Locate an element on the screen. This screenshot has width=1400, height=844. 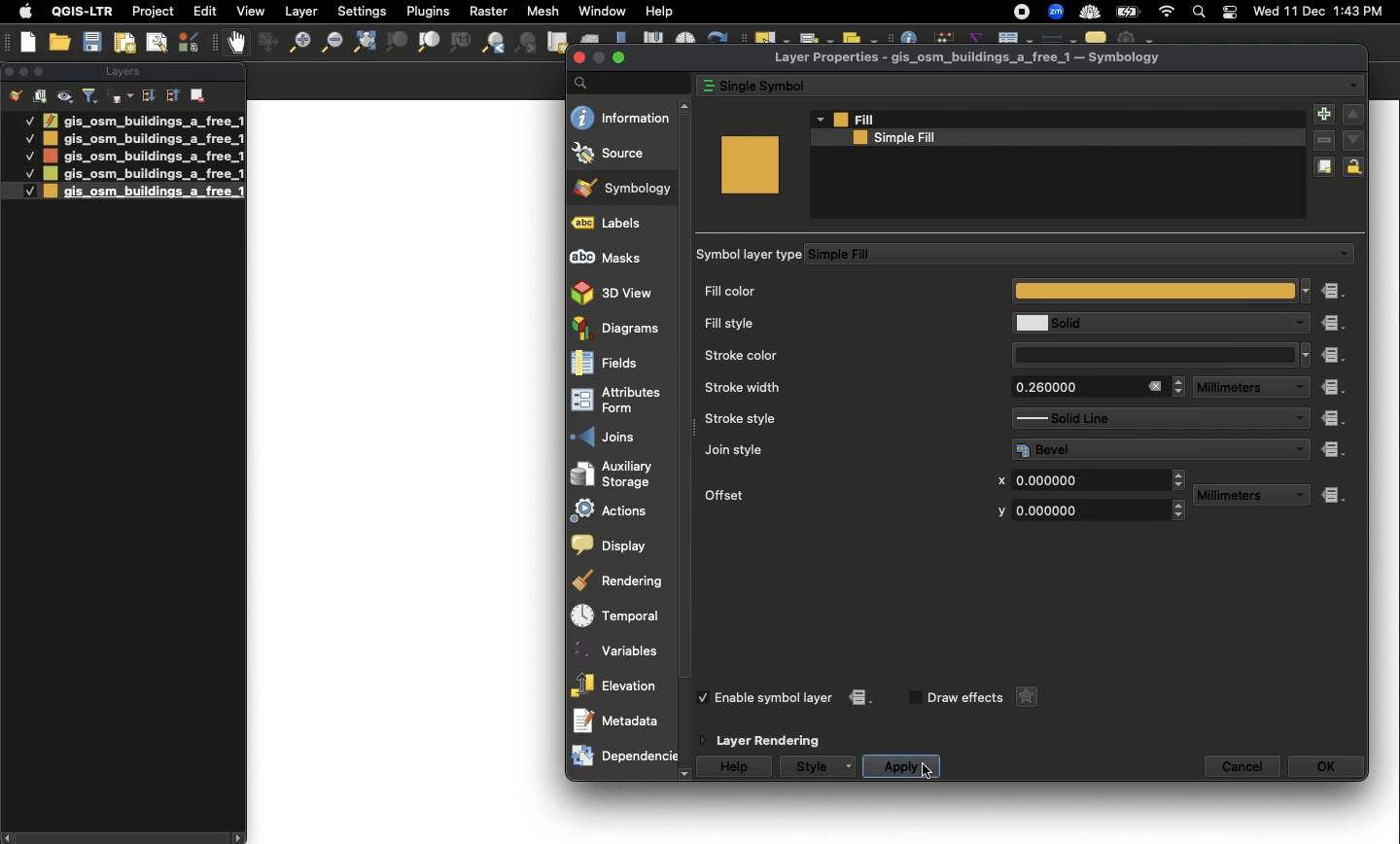
Manage map themes is located at coordinates (66, 96).